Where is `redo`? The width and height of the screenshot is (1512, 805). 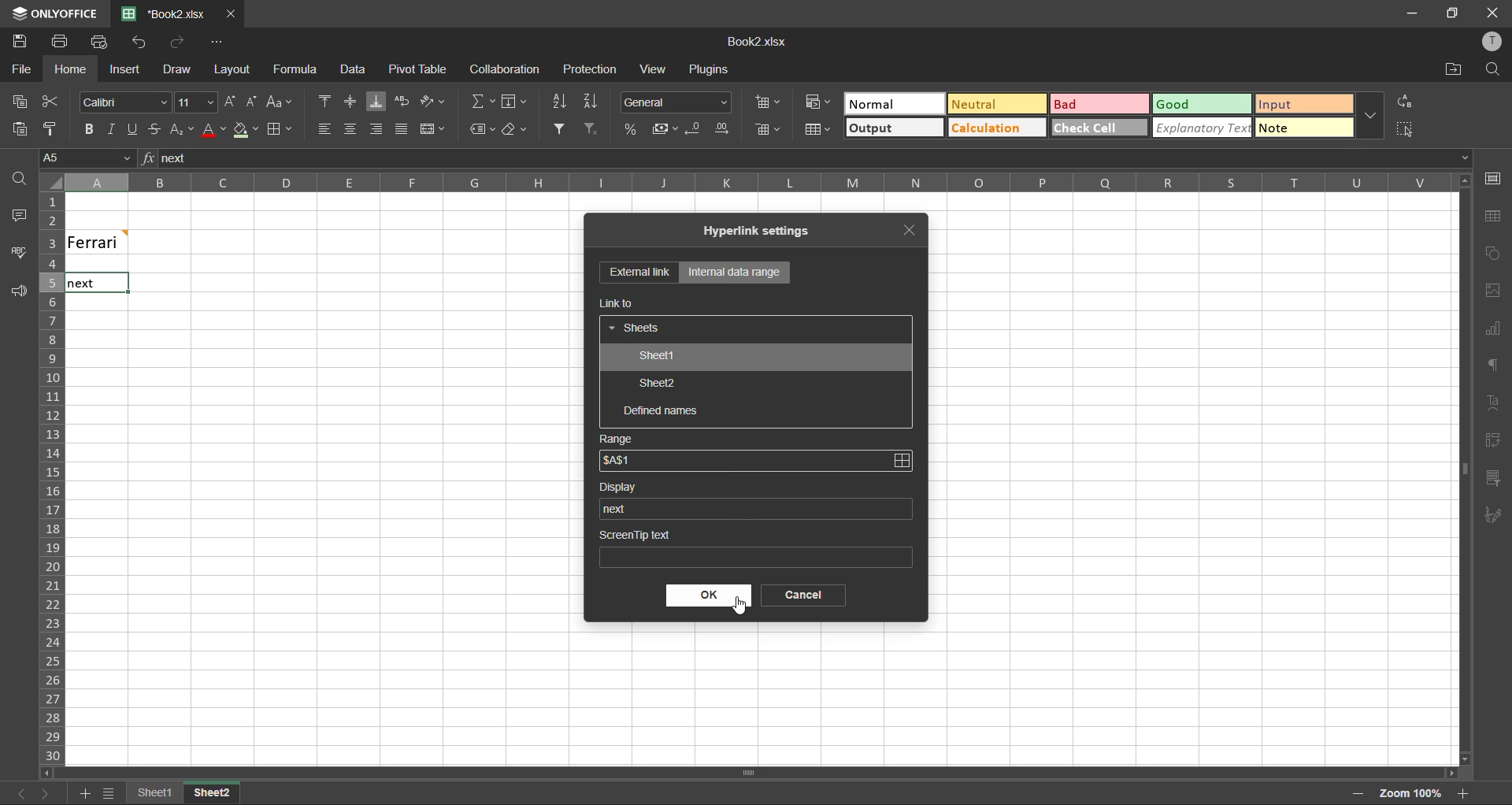 redo is located at coordinates (180, 42).